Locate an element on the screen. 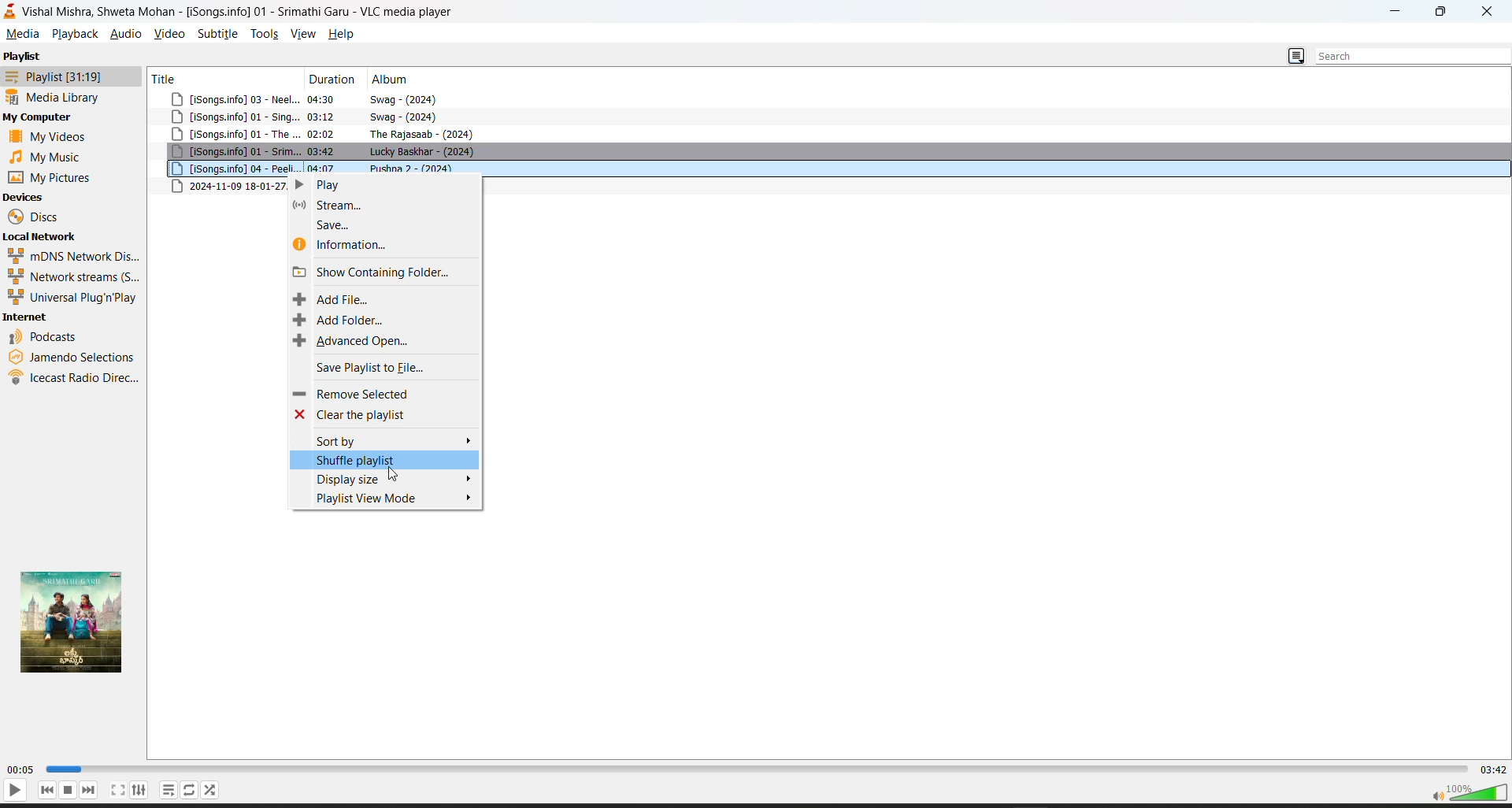 The height and width of the screenshot is (808, 1512). songs.info 01-the is located at coordinates (234, 135).